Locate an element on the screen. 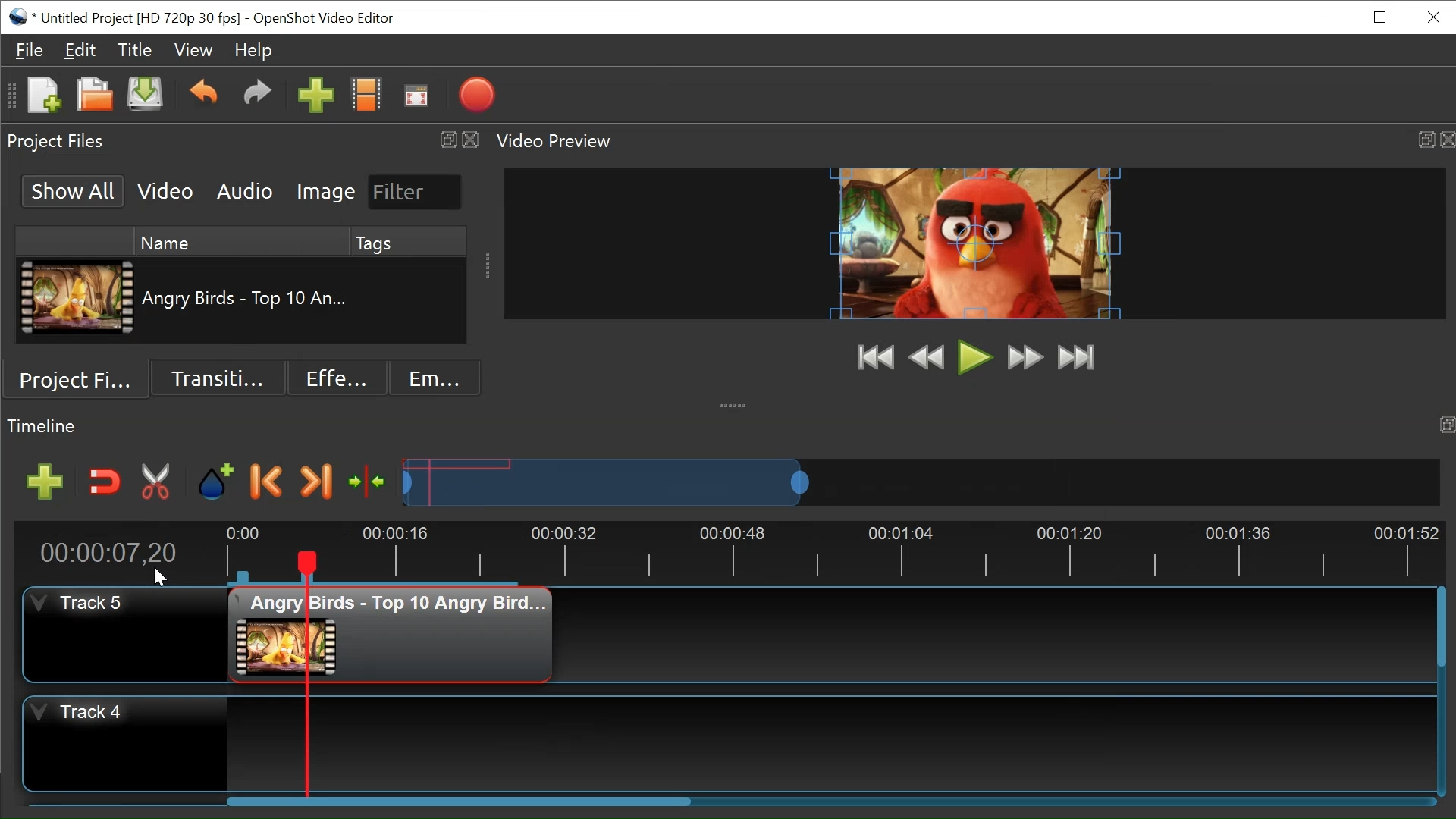 This screenshot has width=1456, height=819. Help is located at coordinates (251, 50).